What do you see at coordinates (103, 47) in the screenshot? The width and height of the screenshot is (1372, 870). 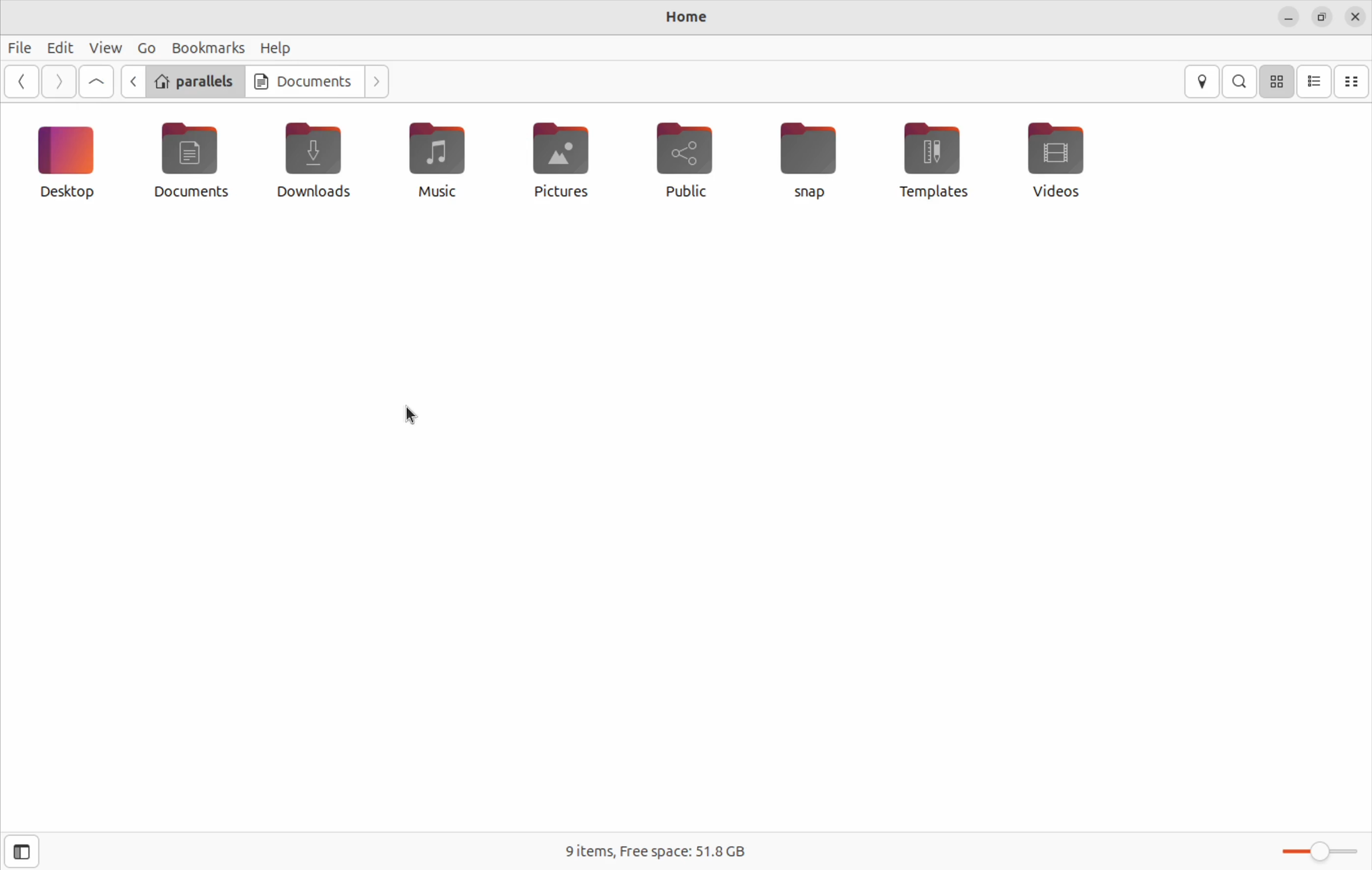 I see `view` at bounding box center [103, 47].